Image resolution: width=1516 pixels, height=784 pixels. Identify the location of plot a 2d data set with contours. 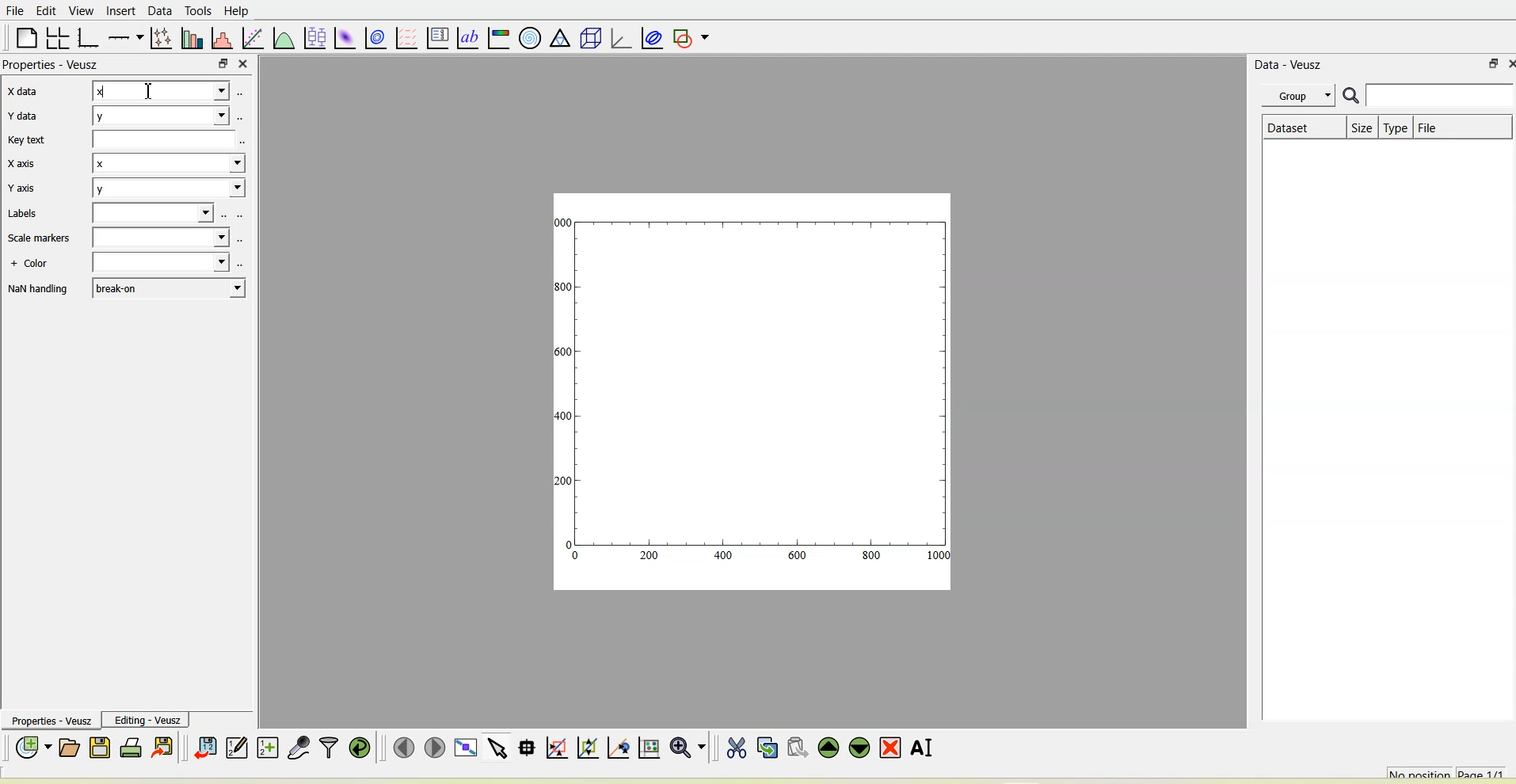
(375, 38).